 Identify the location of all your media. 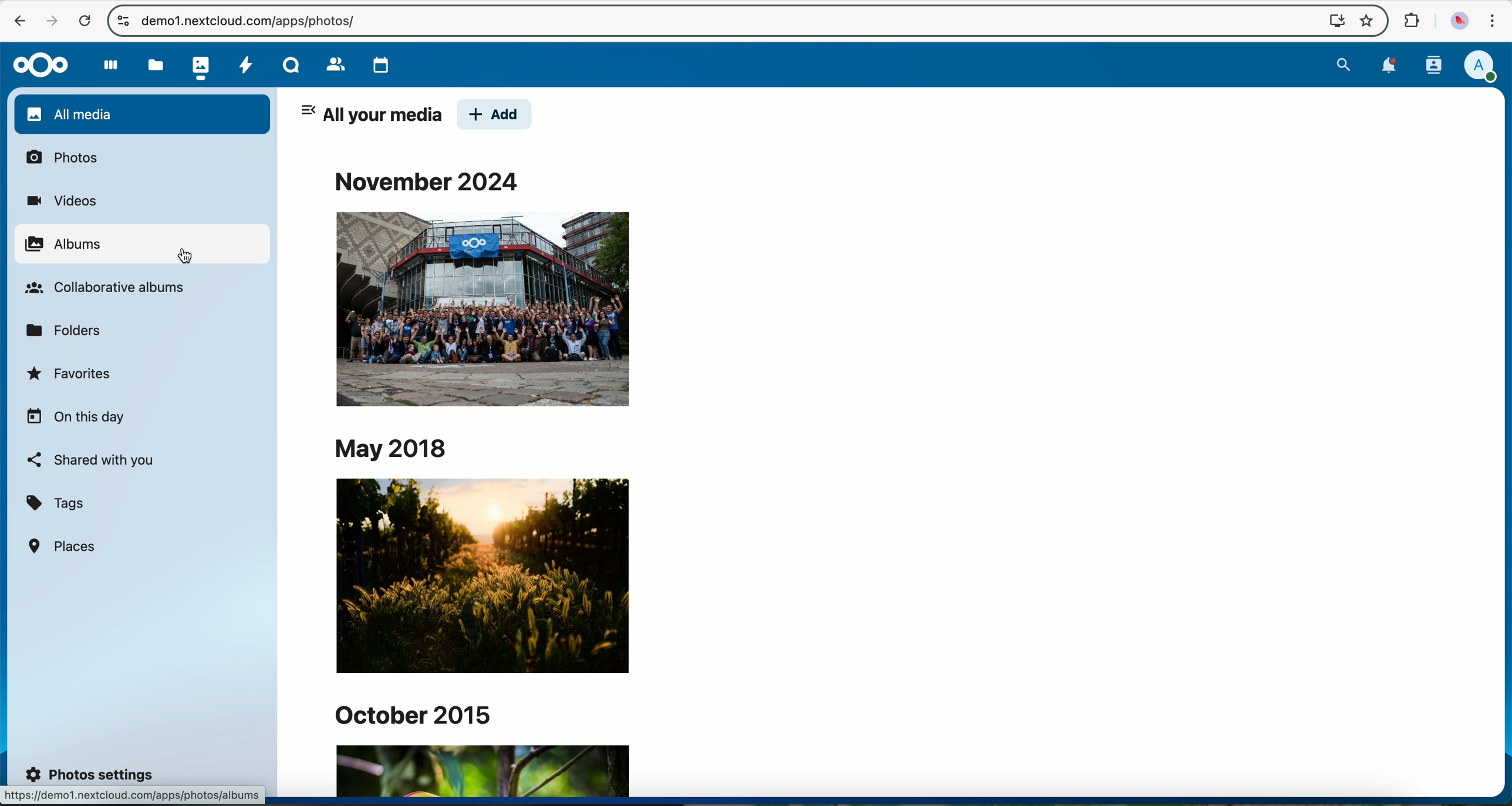
(383, 117).